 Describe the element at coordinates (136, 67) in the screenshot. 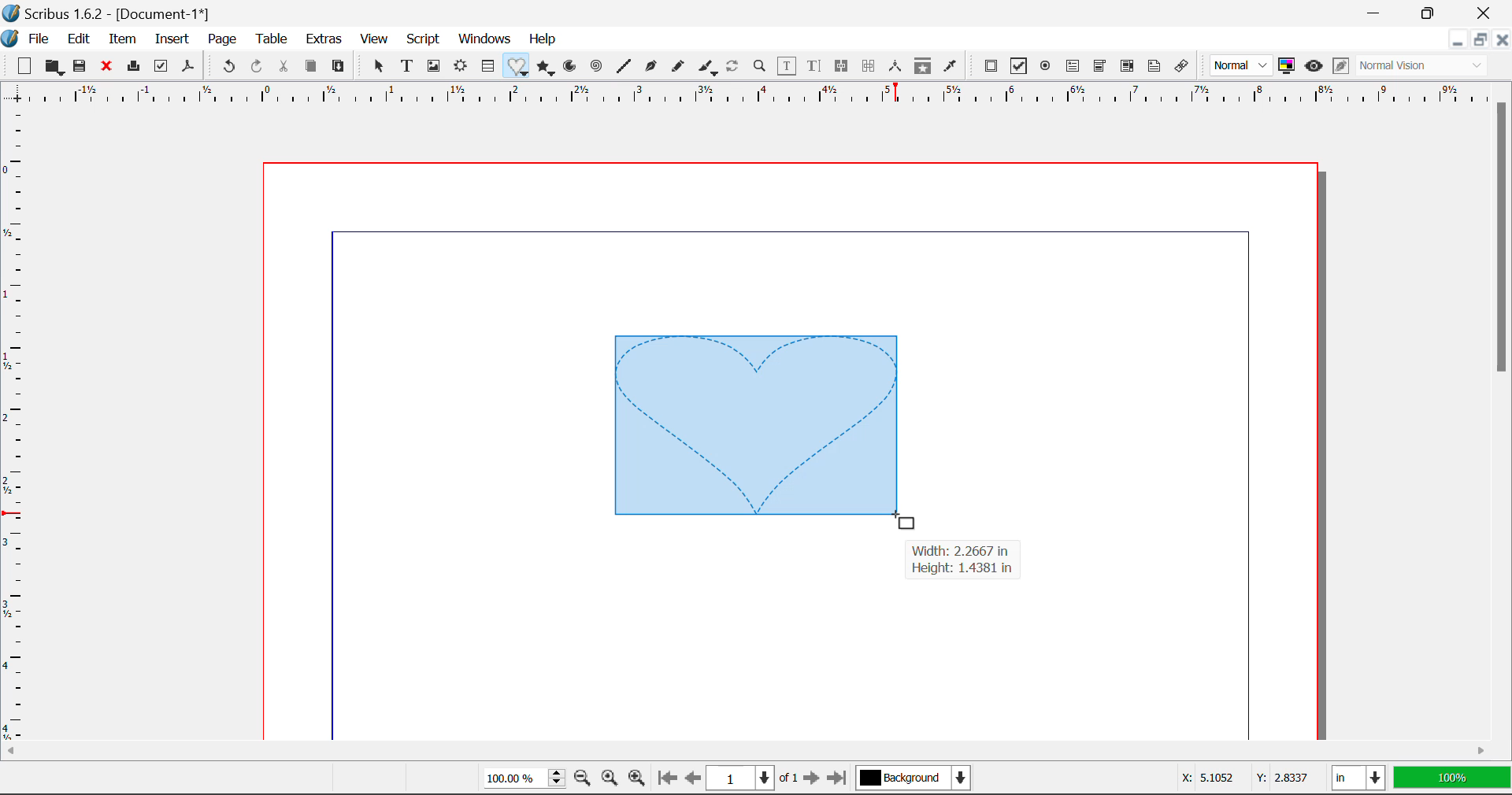

I see `Print` at that location.